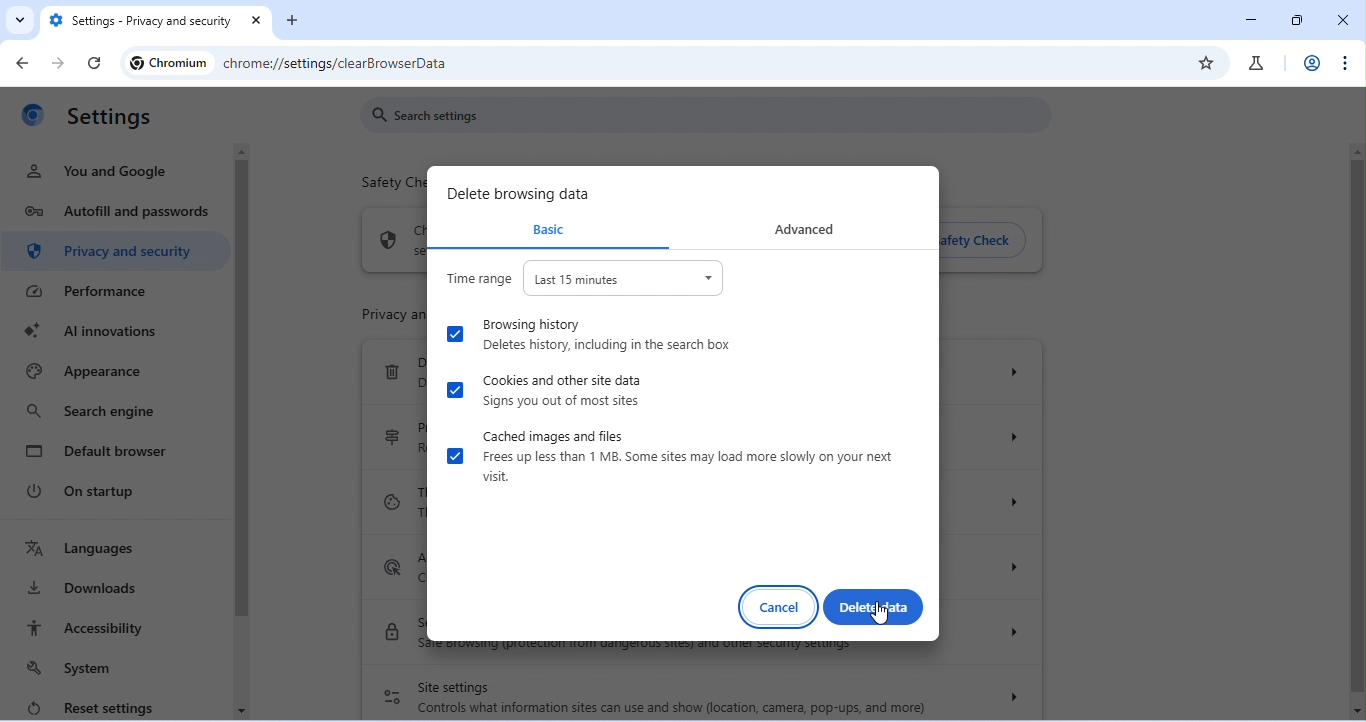  What do you see at coordinates (1014, 500) in the screenshot?
I see `drop down` at bounding box center [1014, 500].